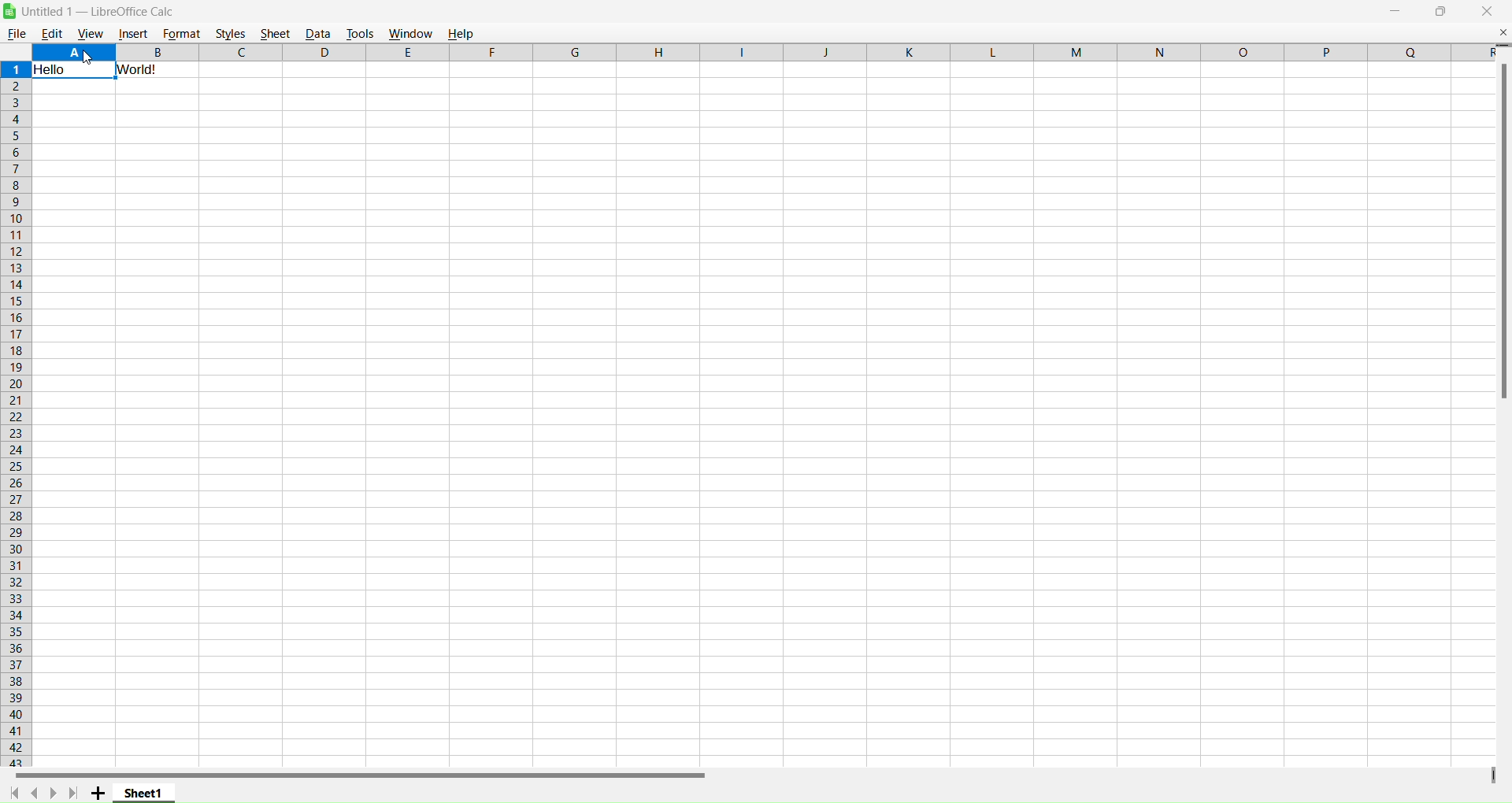 Image resolution: width=1512 pixels, height=803 pixels. What do you see at coordinates (354, 775) in the screenshot?
I see `Horizontal Scroll bar` at bounding box center [354, 775].